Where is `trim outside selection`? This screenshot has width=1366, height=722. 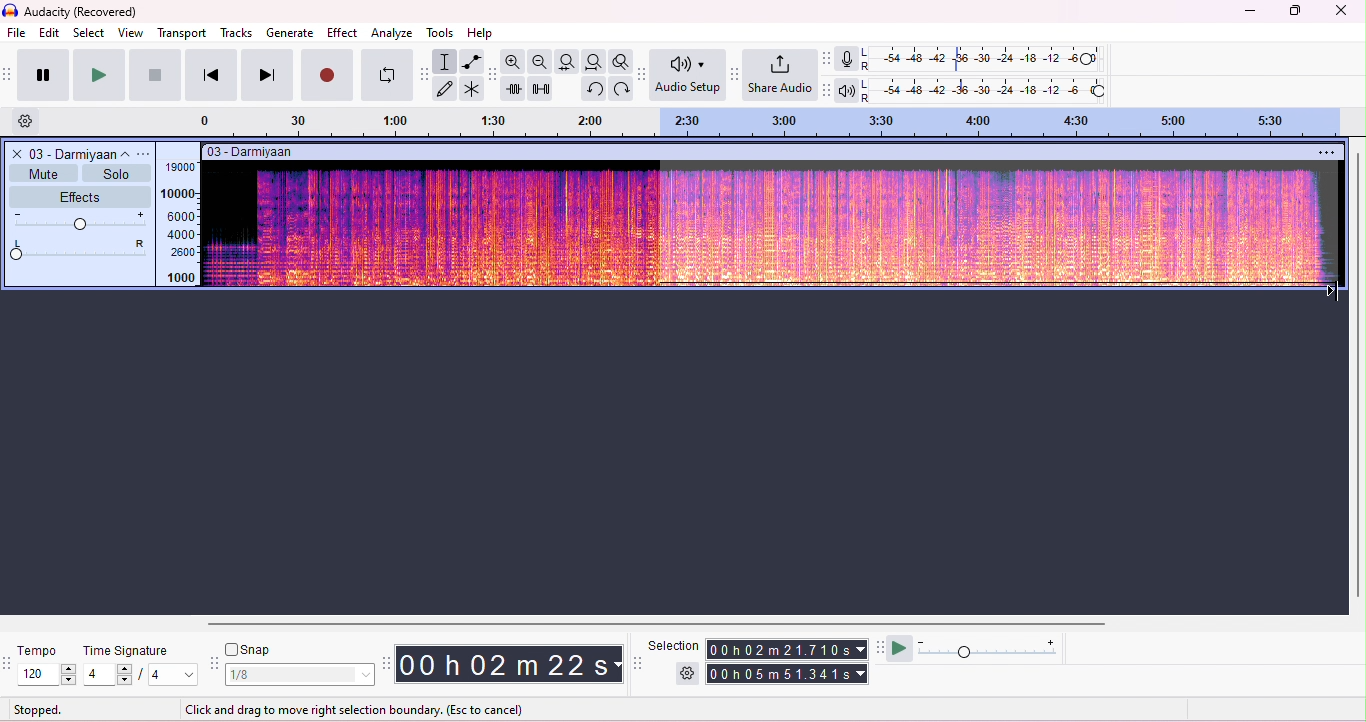 trim outside selection is located at coordinates (514, 89).